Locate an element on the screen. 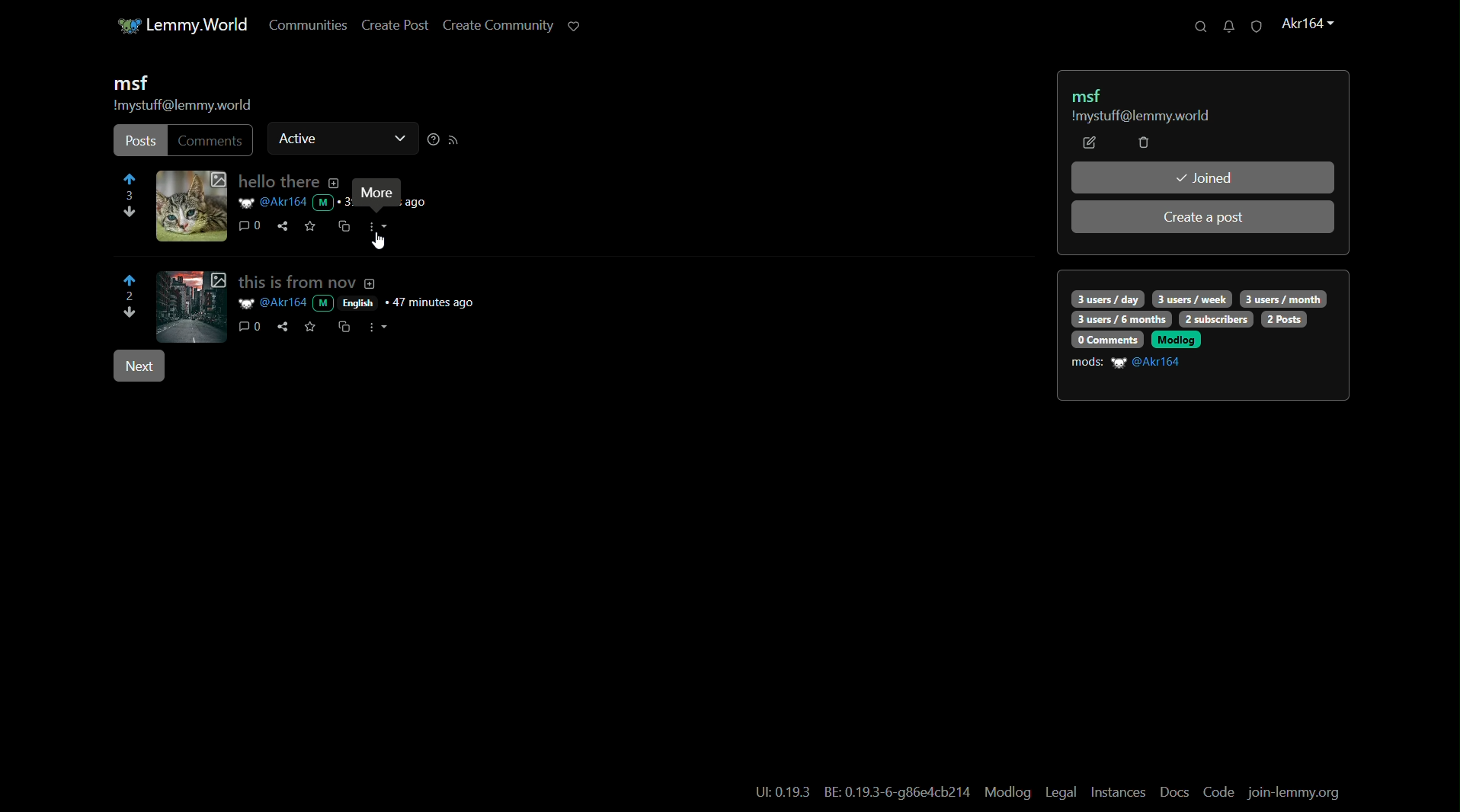 The image size is (1460, 812). legal is located at coordinates (1060, 793).